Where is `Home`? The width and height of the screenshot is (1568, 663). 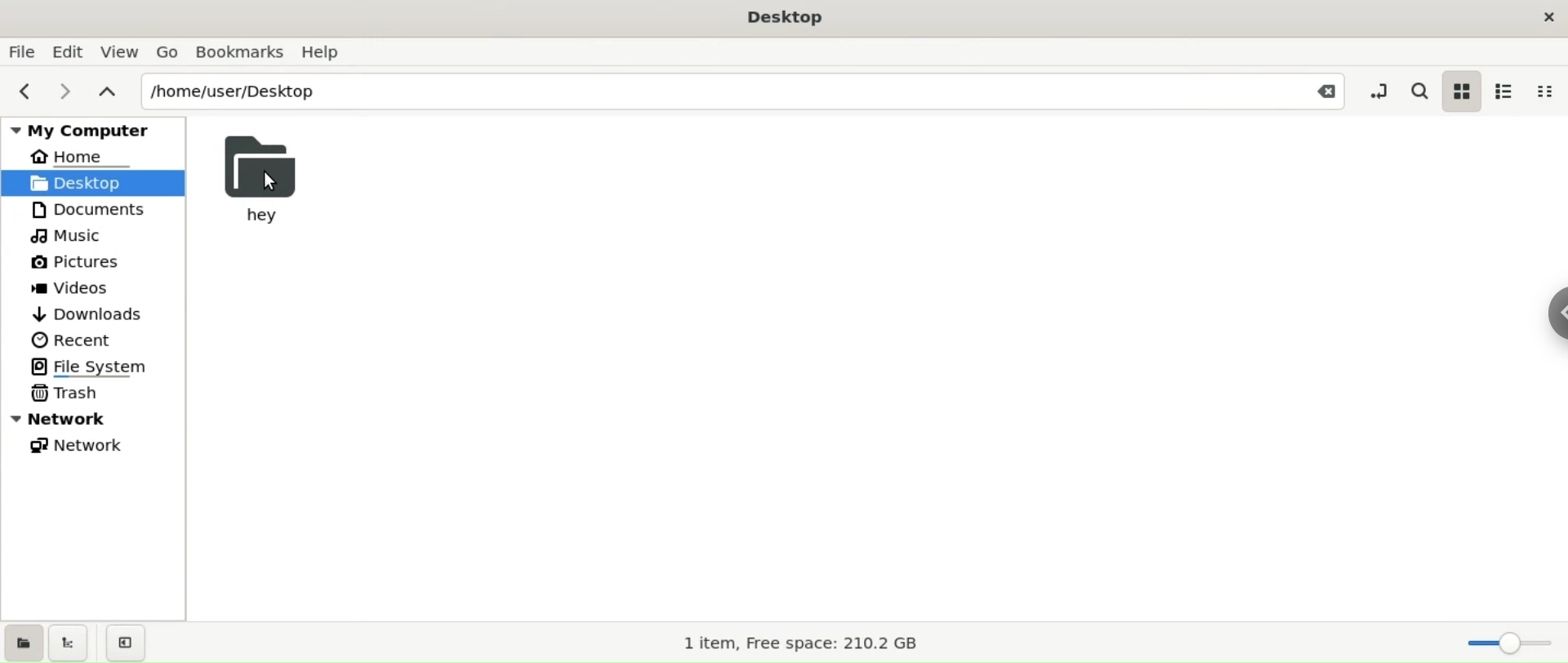
Home is located at coordinates (82, 156).